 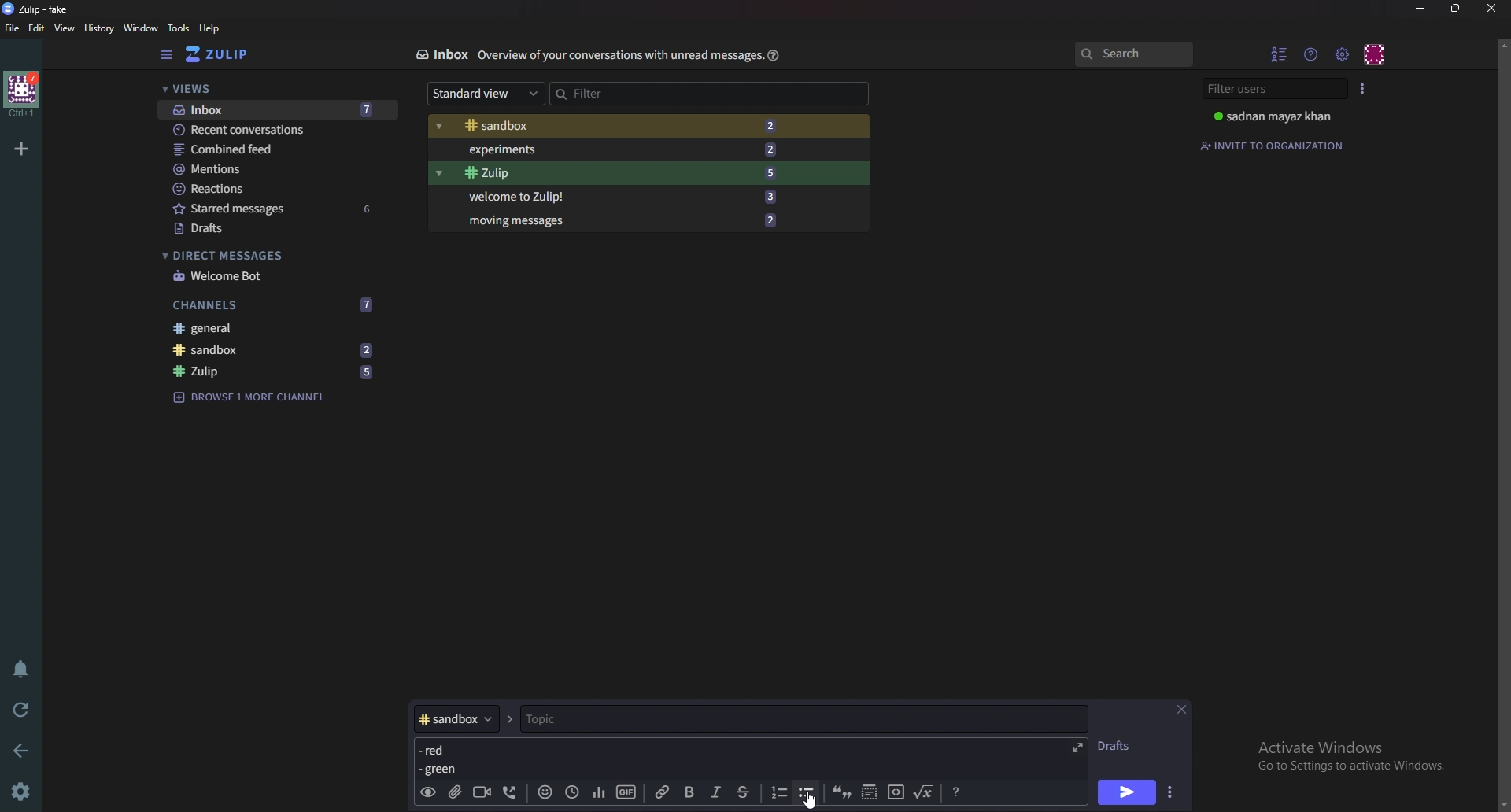 I want to click on Moving messages, so click(x=621, y=219).